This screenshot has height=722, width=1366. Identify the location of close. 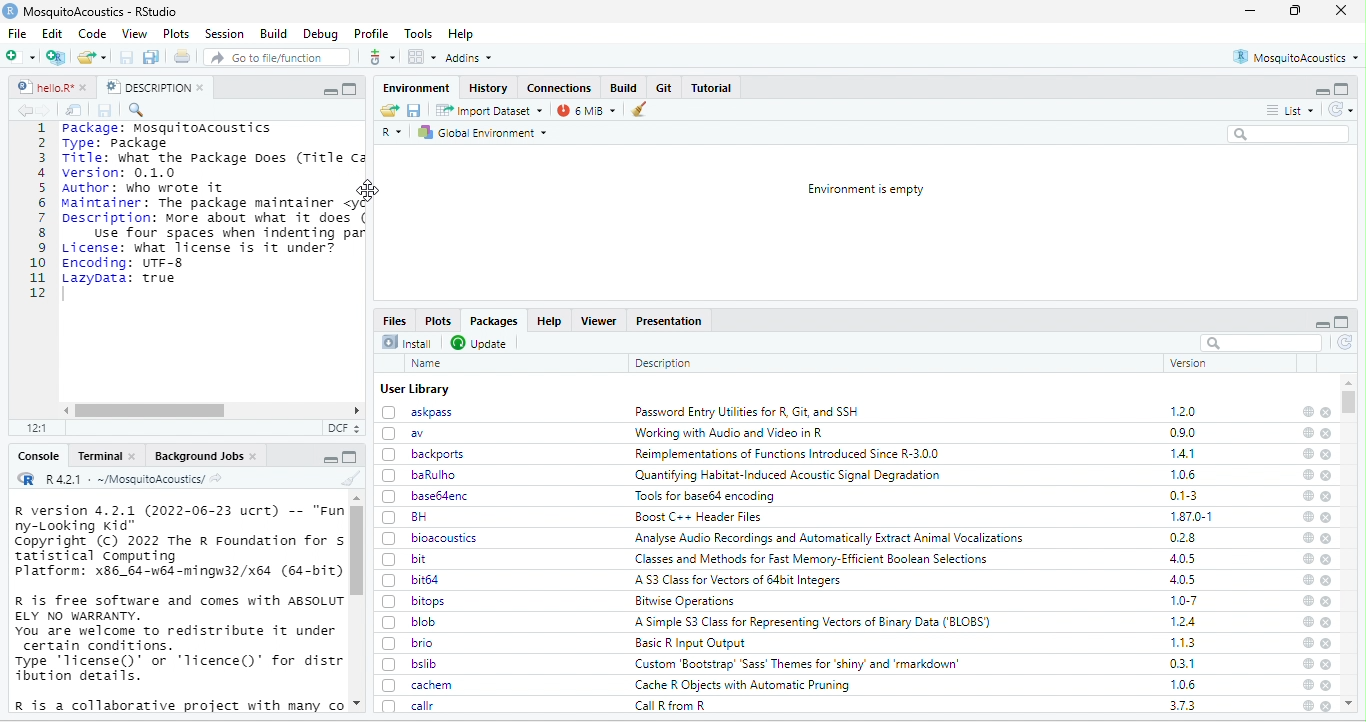
(1326, 412).